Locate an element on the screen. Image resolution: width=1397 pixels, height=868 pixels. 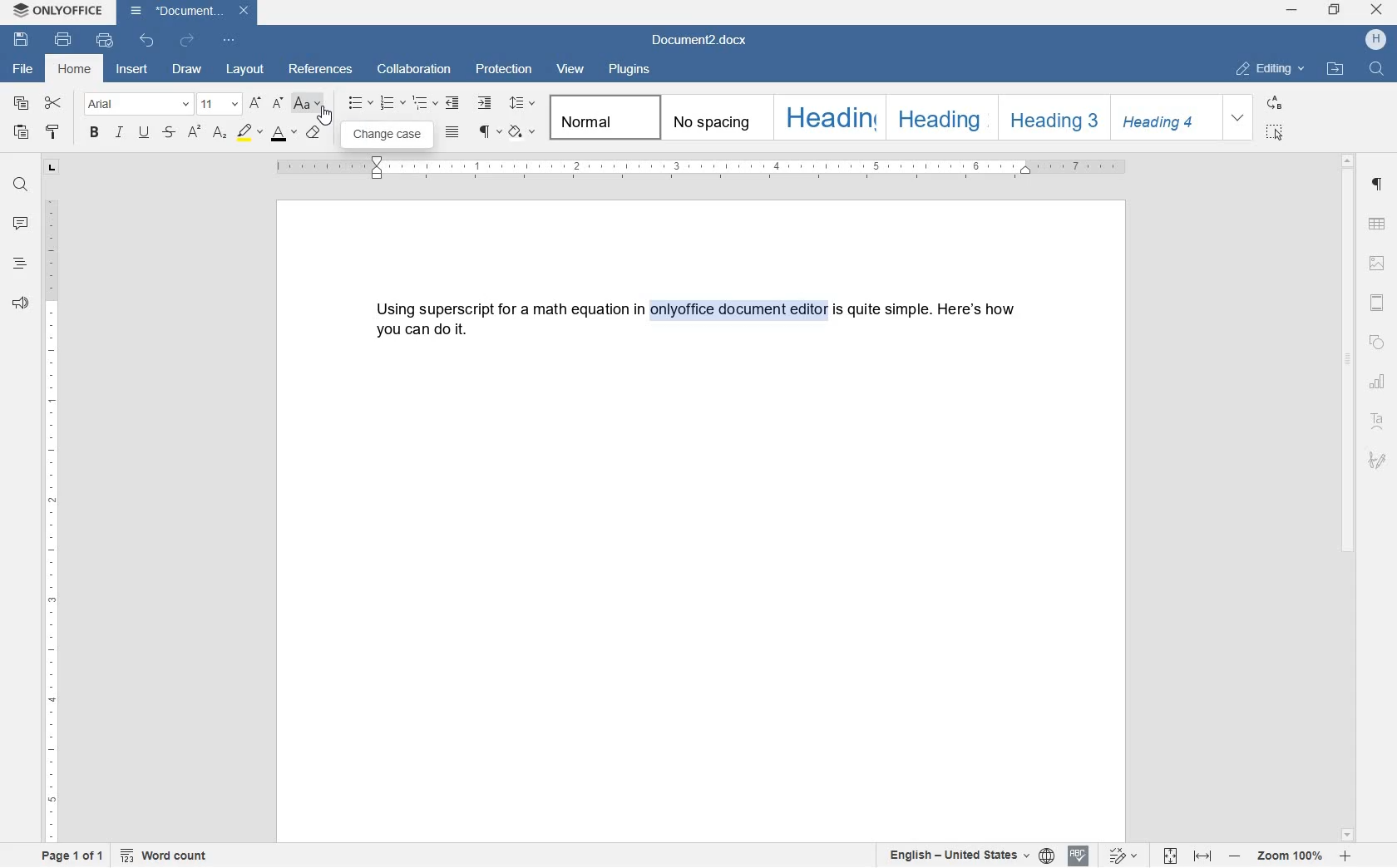
ONLYOFFICE is located at coordinates (57, 11).